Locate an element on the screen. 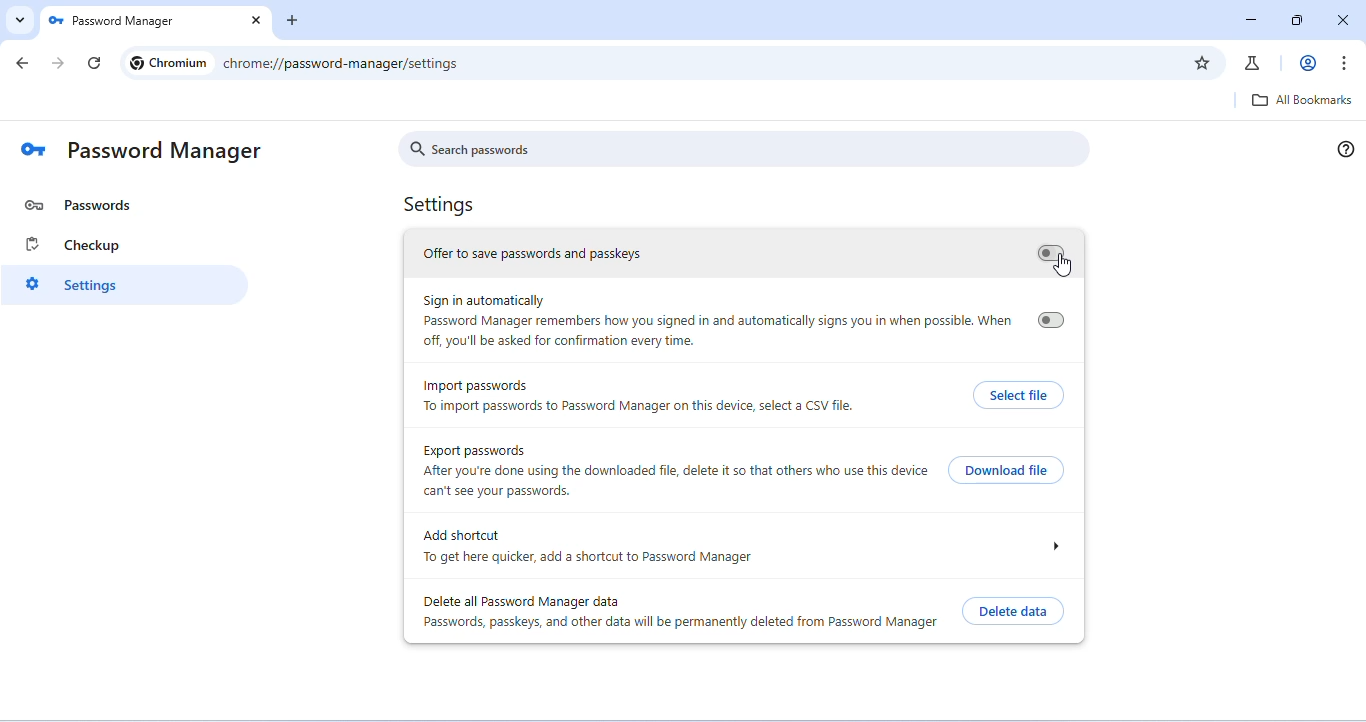  Password Manager is located at coordinates (152, 21).